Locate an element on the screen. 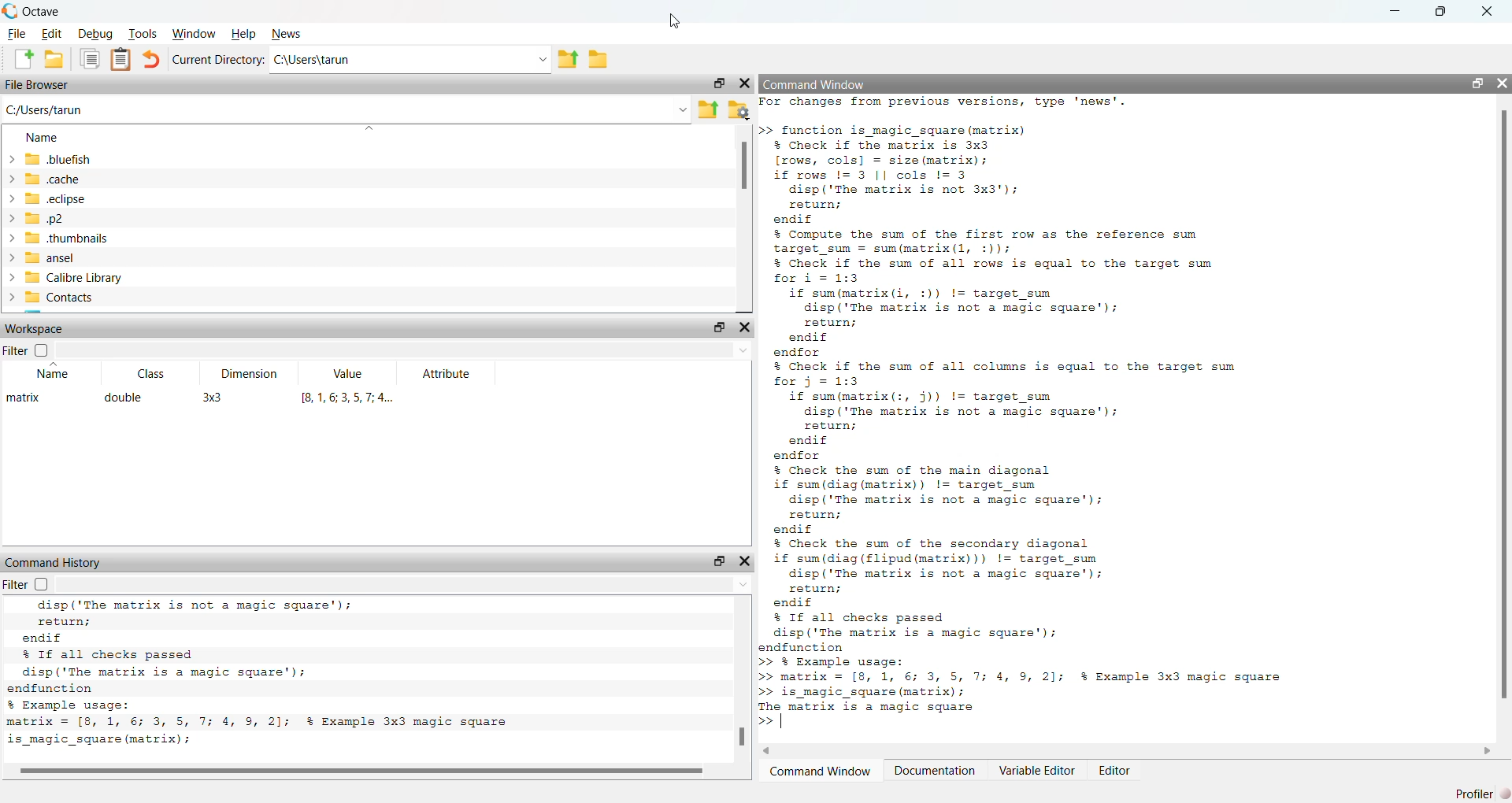  For changes from previous versions, type 'news'.>> function is_magic_square (matrix)% Check if the matrix is 3x3[rows, cols] = size (matrix);if rows !1= 3 || cols !=3disp('The matrix is not 3x3');return;endif% Compute the sum of the first row as the reference sumtarget_sum = sum(matrix(1, :));% Check if the sum of all rows is equal to the target sumfor i = 1:3if sum(matrix(i, :)) != target_sumdisp('The matrix is not a magic square’);return;endifendfor% Check if the sum of all columns is equal to the target sumfor j = 1:3if sum(matrix(:, j)) != target_sumdisp('The matrix is not a magic square’);return;endi endfor is located at coordinates (1001, 279).